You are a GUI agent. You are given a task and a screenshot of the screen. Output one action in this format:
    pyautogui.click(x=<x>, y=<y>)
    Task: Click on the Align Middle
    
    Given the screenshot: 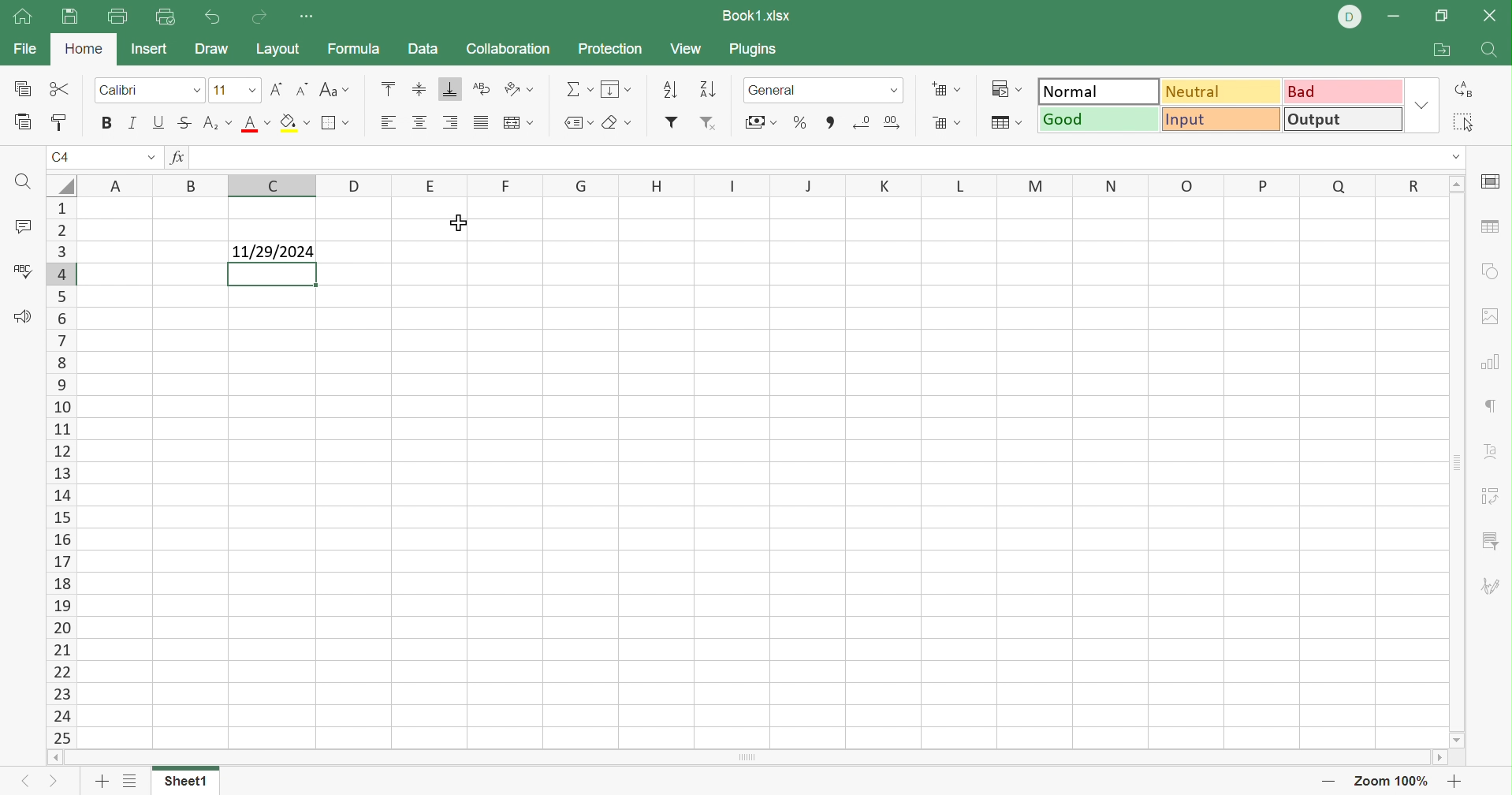 What is the action you would take?
    pyautogui.click(x=420, y=88)
    